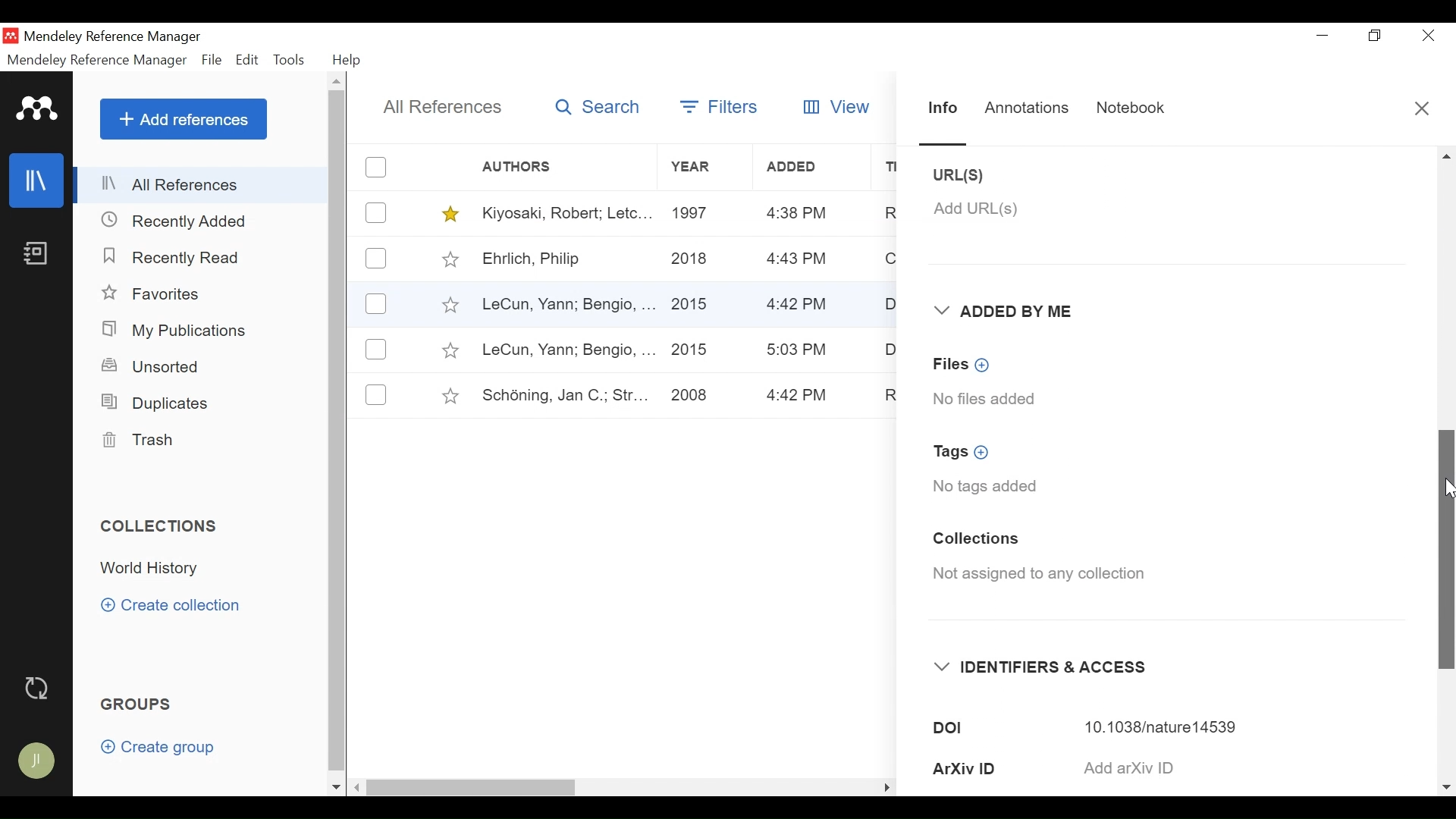  Describe the element at coordinates (181, 220) in the screenshot. I see `Recently Added` at that location.